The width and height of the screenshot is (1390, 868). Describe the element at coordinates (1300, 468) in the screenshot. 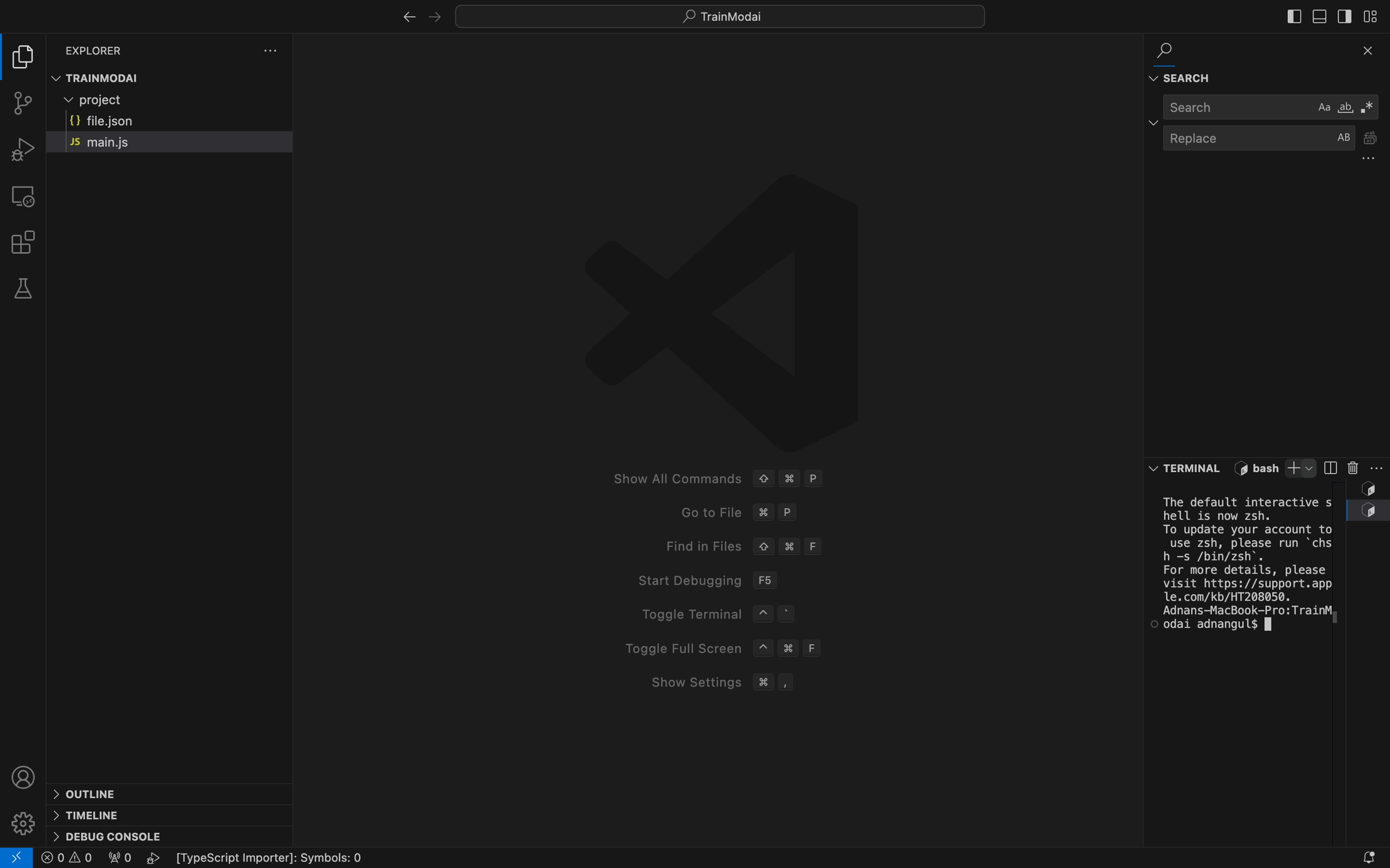

I see `add terminal` at that location.